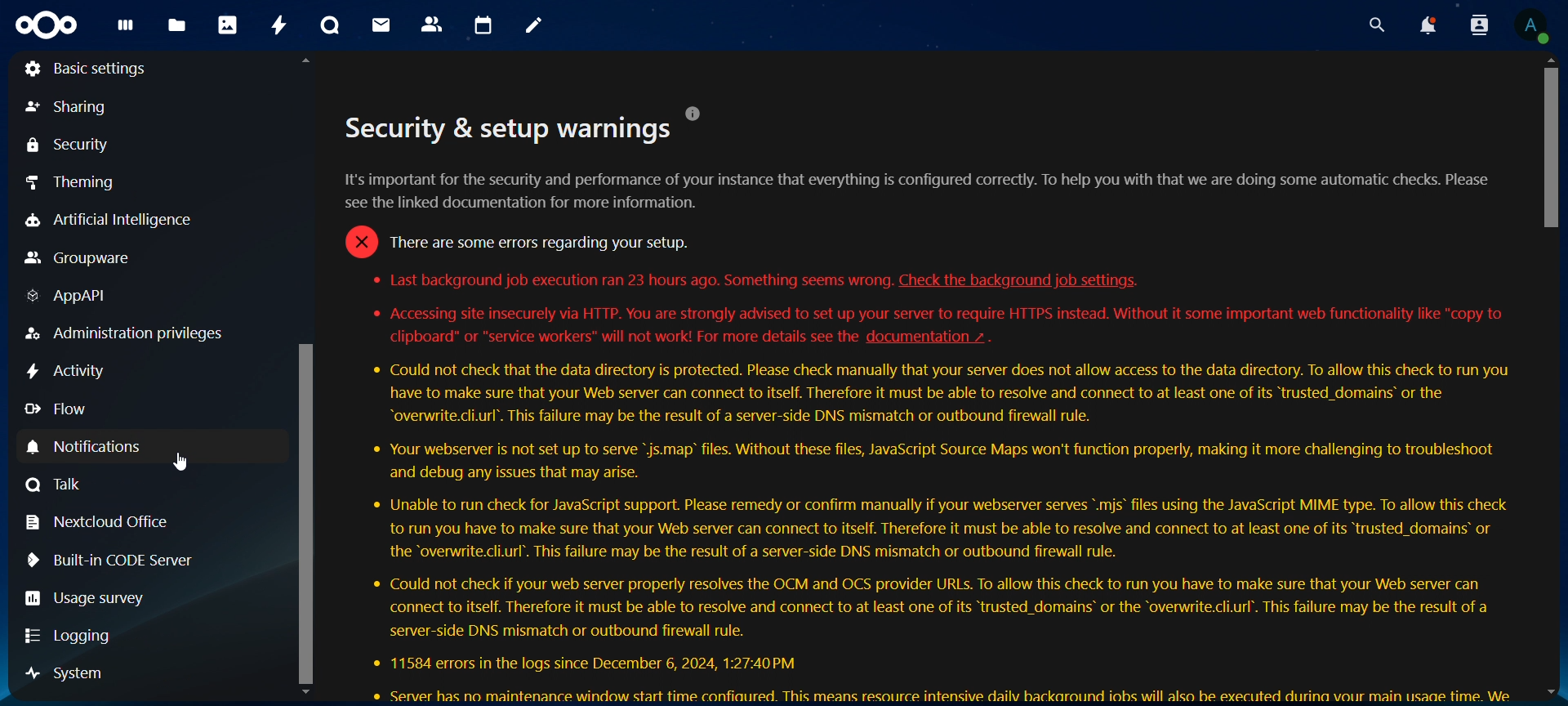 Image resolution: width=1568 pixels, height=706 pixels. What do you see at coordinates (118, 219) in the screenshot?
I see `artificial intelligence` at bounding box center [118, 219].